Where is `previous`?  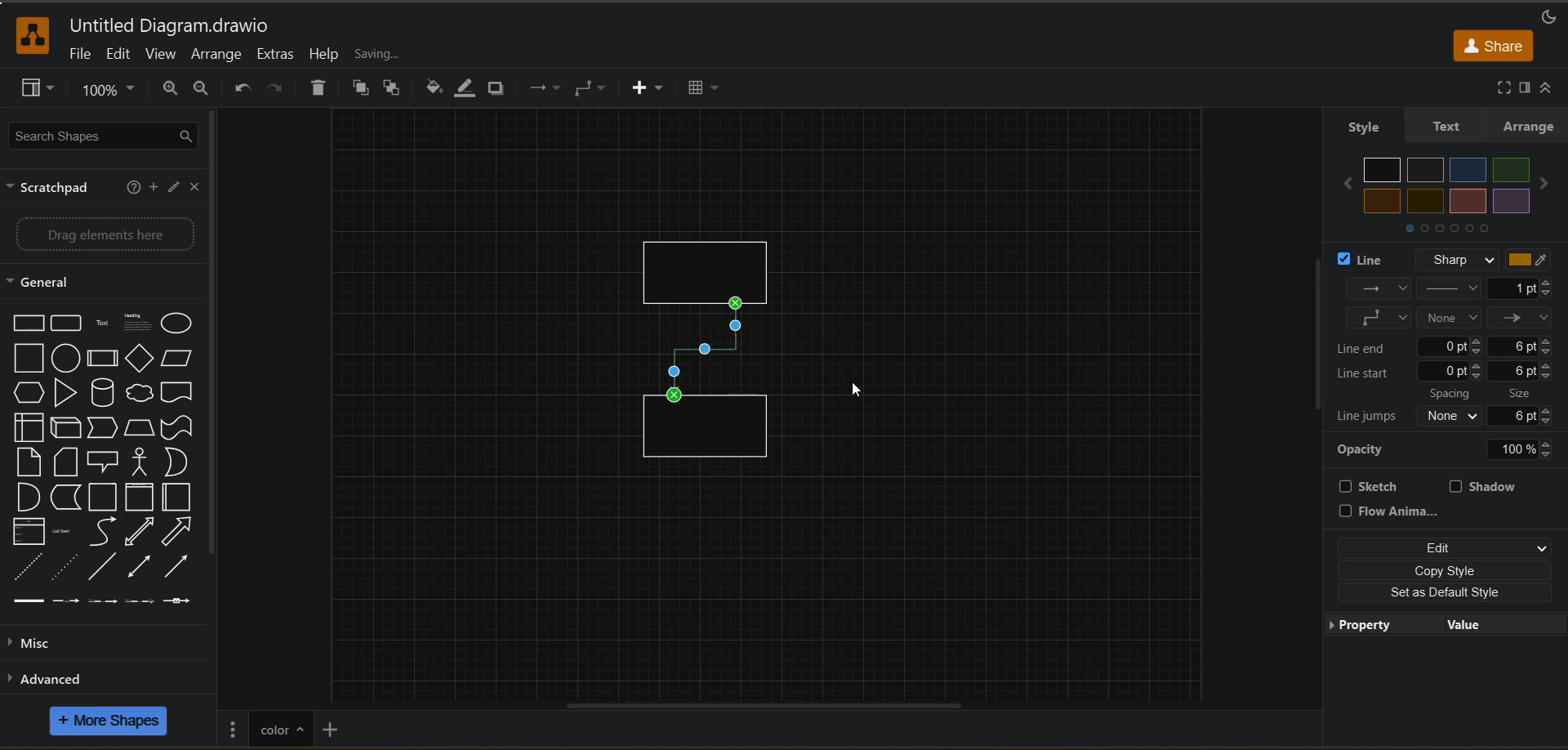 previous is located at coordinates (1343, 185).